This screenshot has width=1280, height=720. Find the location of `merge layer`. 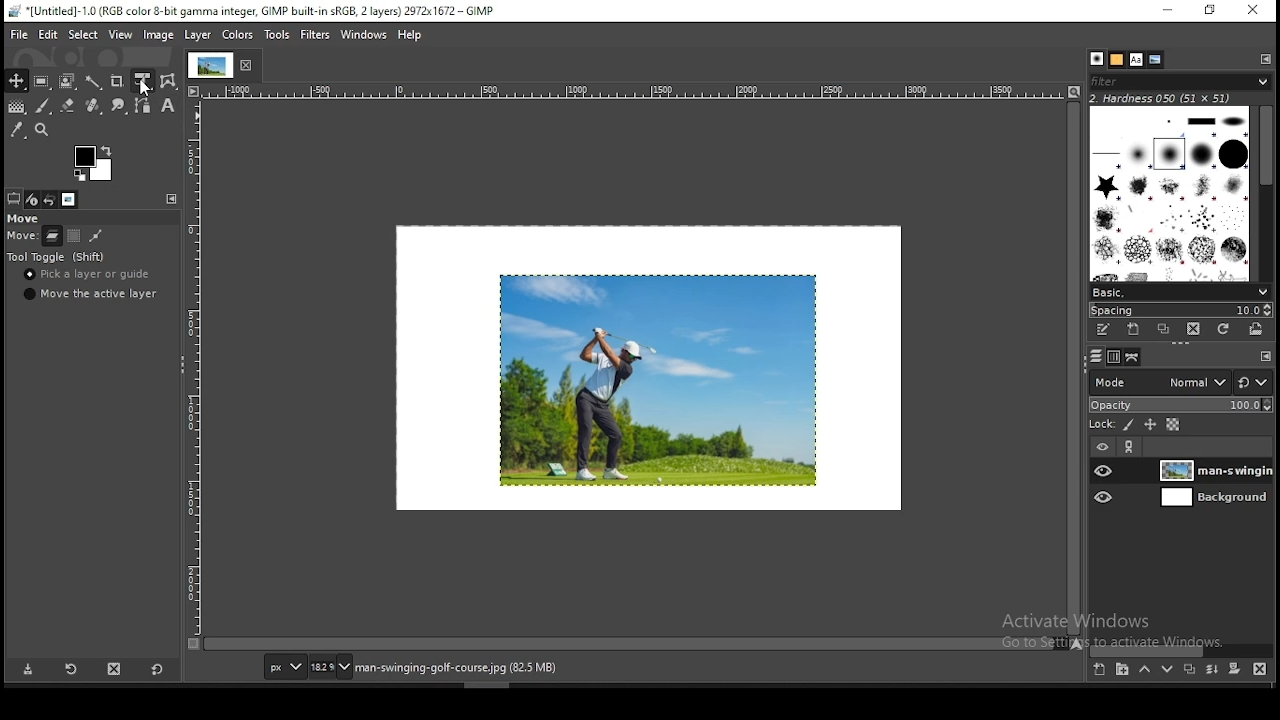

merge layer is located at coordinates (1212, 667).